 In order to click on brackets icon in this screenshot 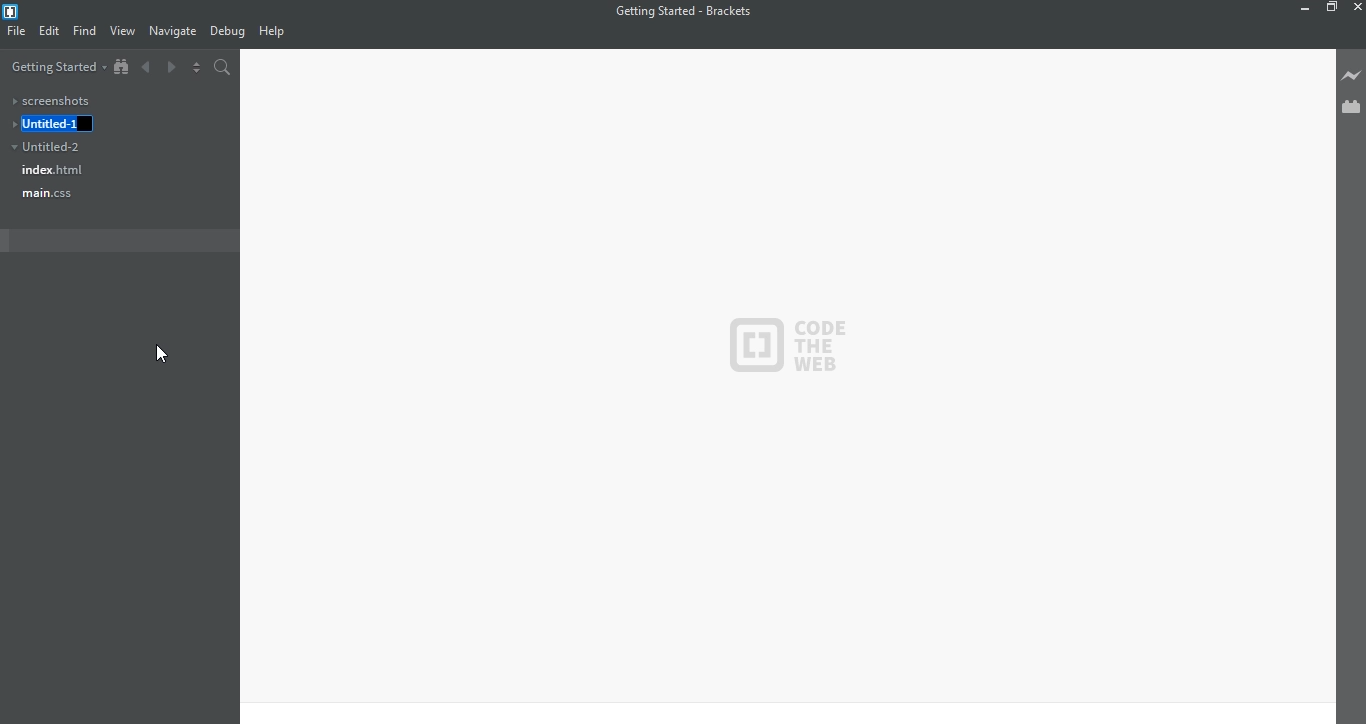, I will do `click(14, 9)`.